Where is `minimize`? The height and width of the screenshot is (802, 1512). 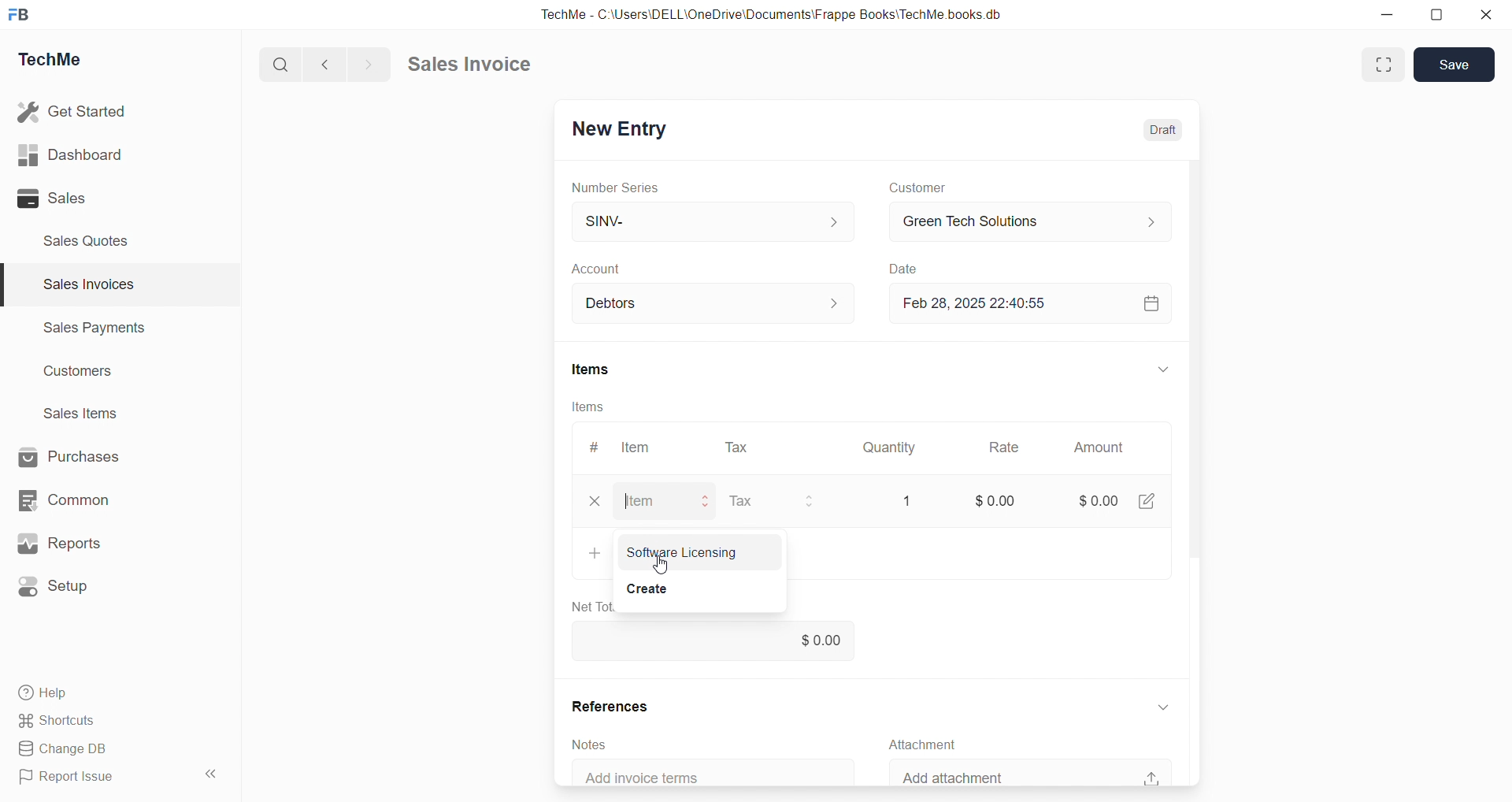 minimize is located at coordinates (1386, 14).